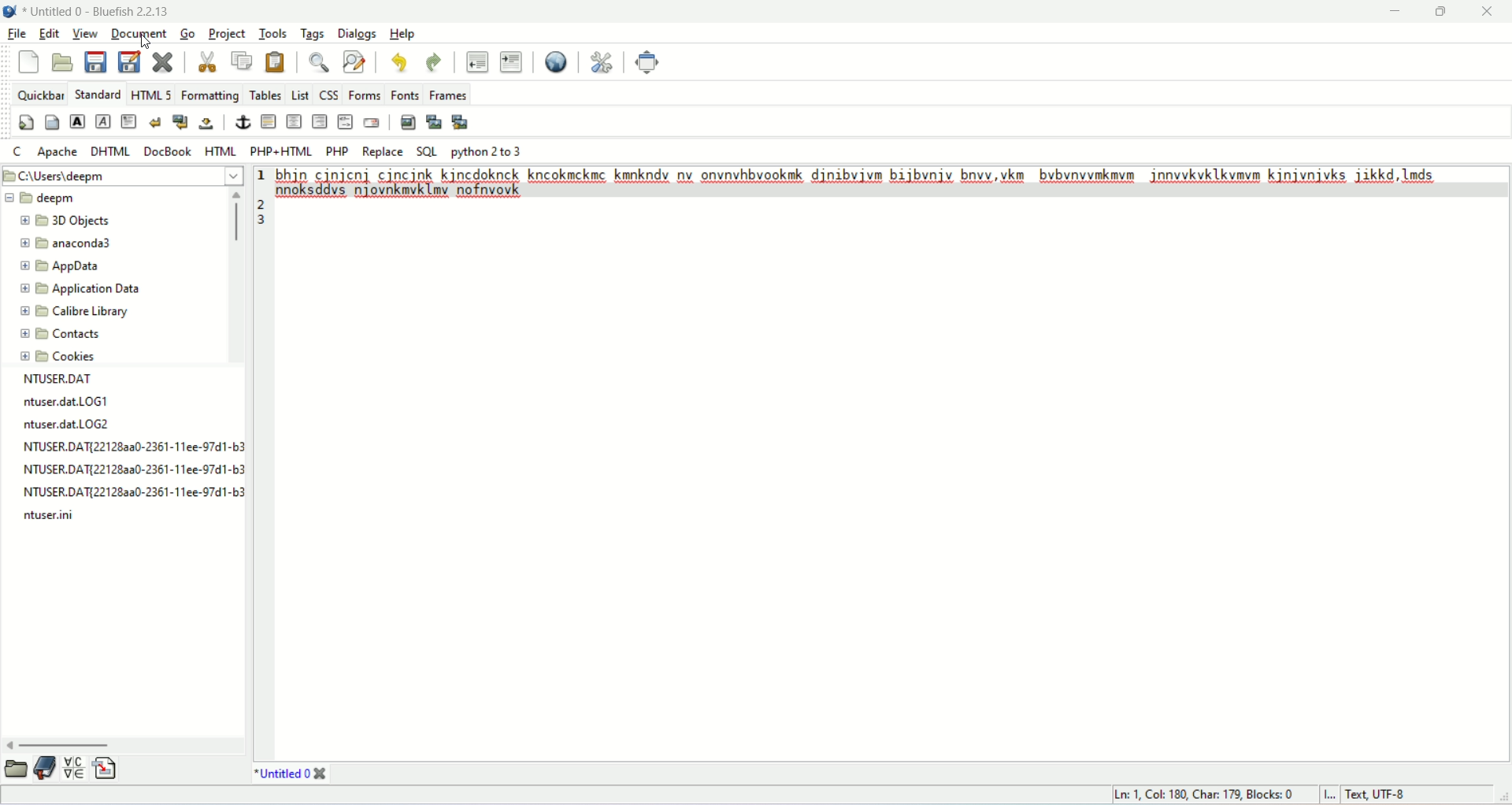 This screenshot has height=805, width=1512. I want to click on title, so click(290, 773).